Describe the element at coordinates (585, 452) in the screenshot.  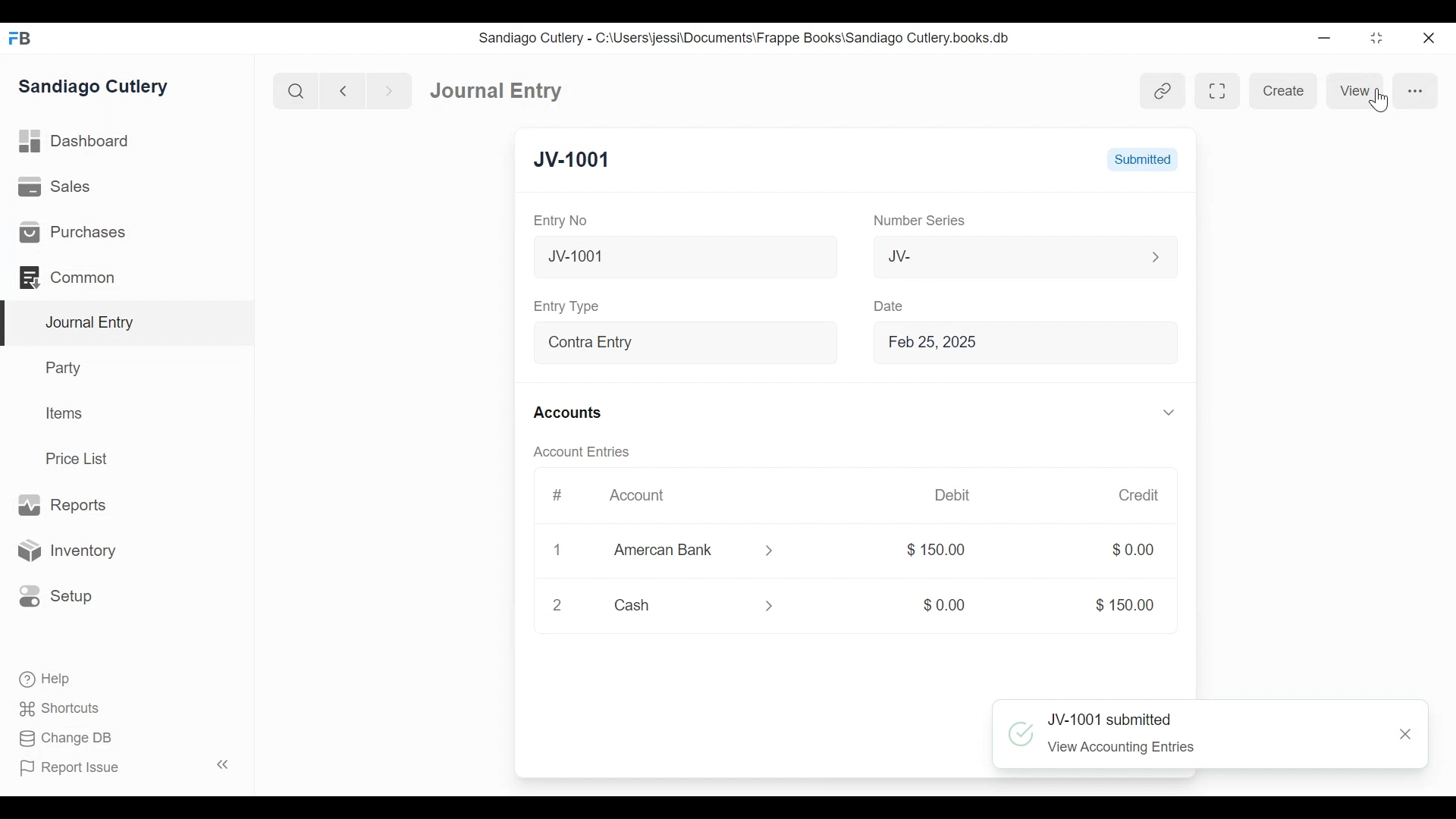
I see `Account Entries` at that location.